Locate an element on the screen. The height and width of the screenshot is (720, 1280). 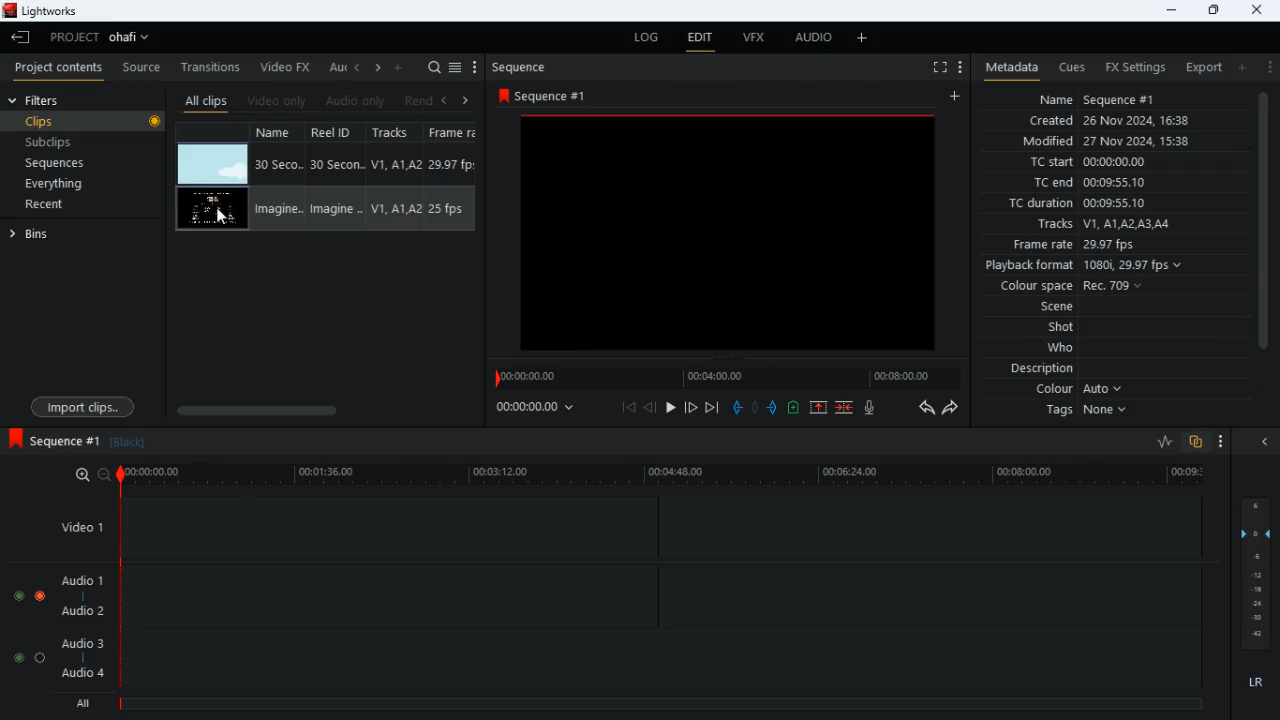
lightworks is located at coordinates (52, 10).